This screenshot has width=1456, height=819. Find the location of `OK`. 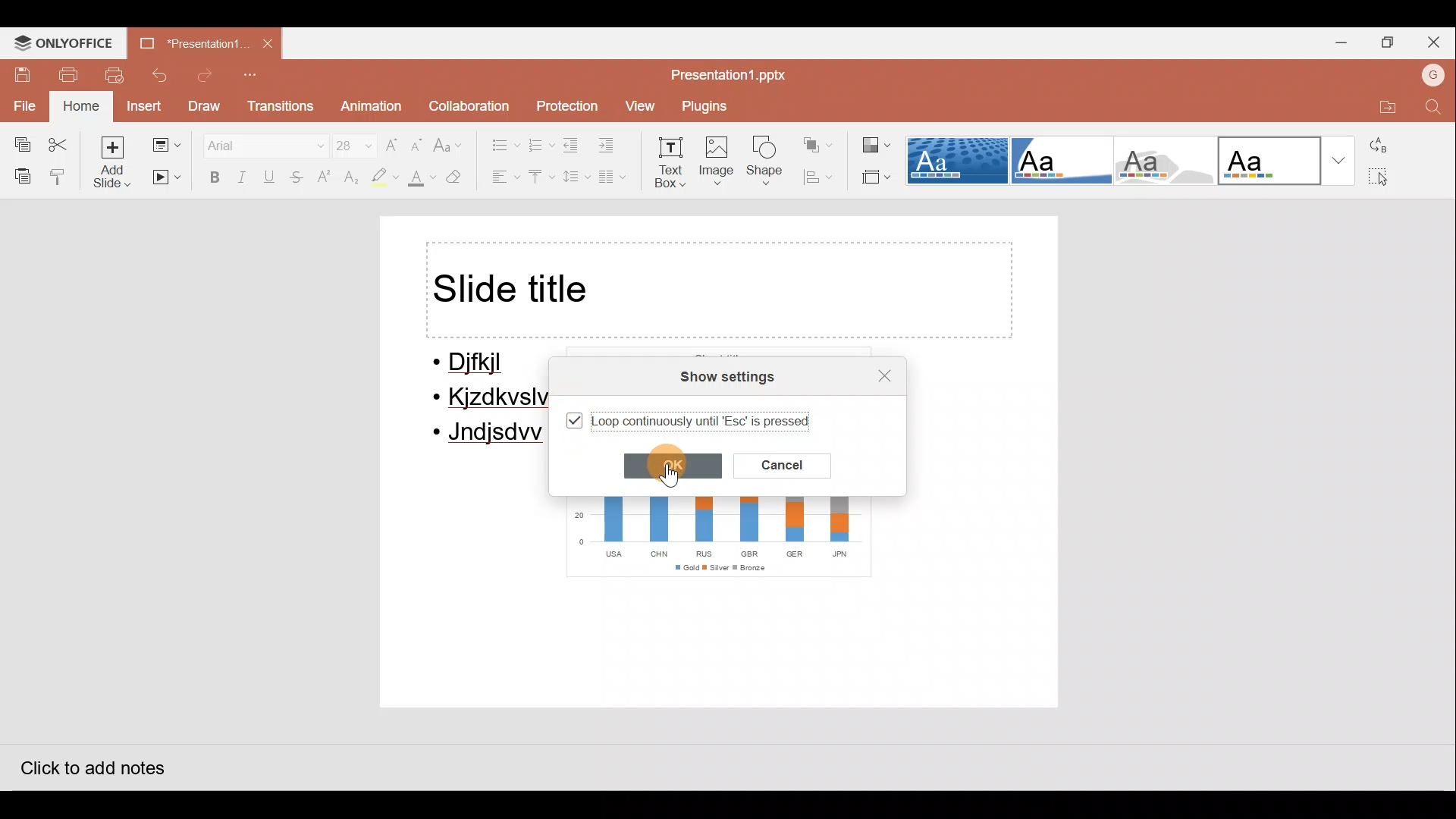

OK is located at coordinates (674, 468).